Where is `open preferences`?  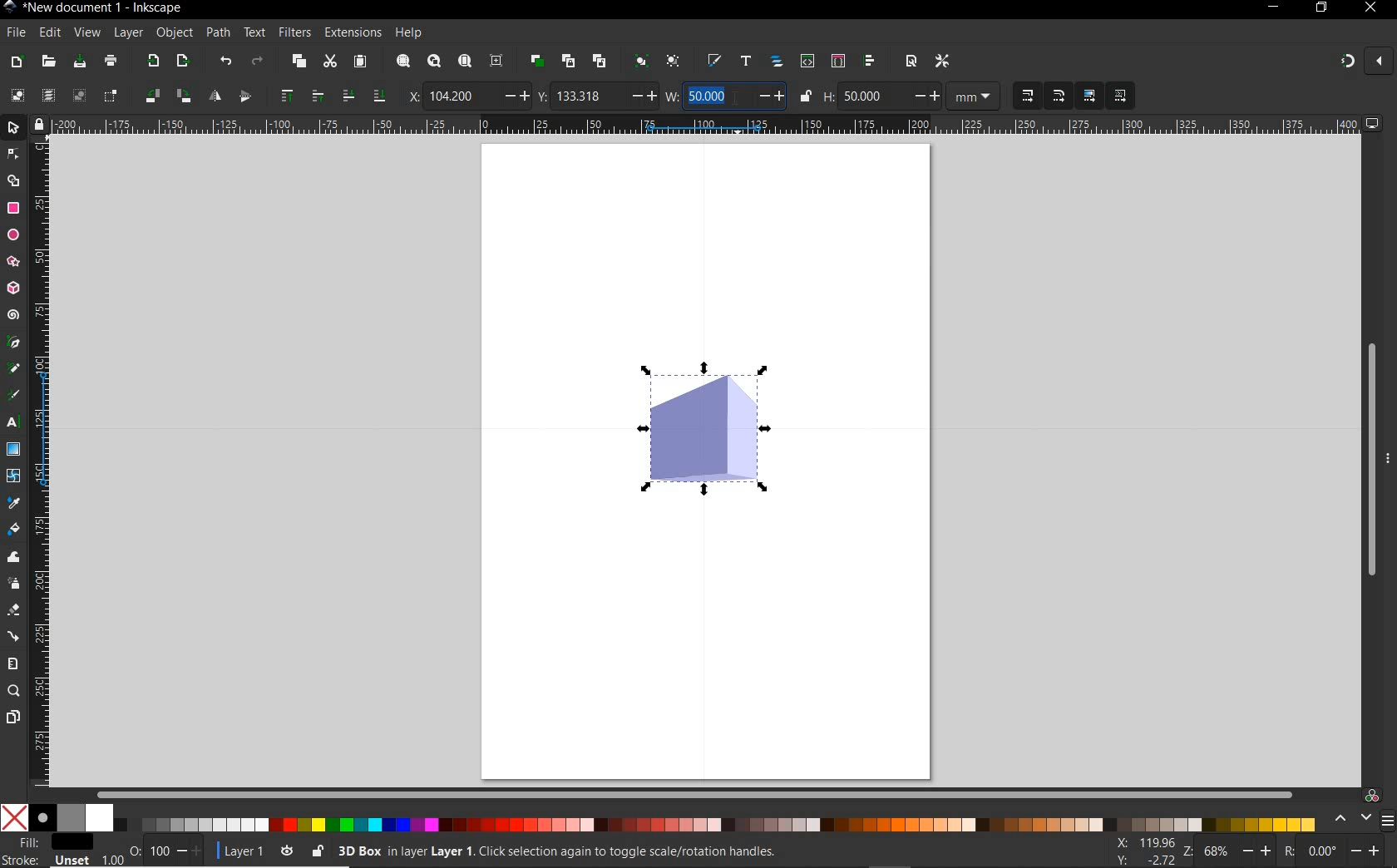 open preferences is located at coordinates (946, 62).